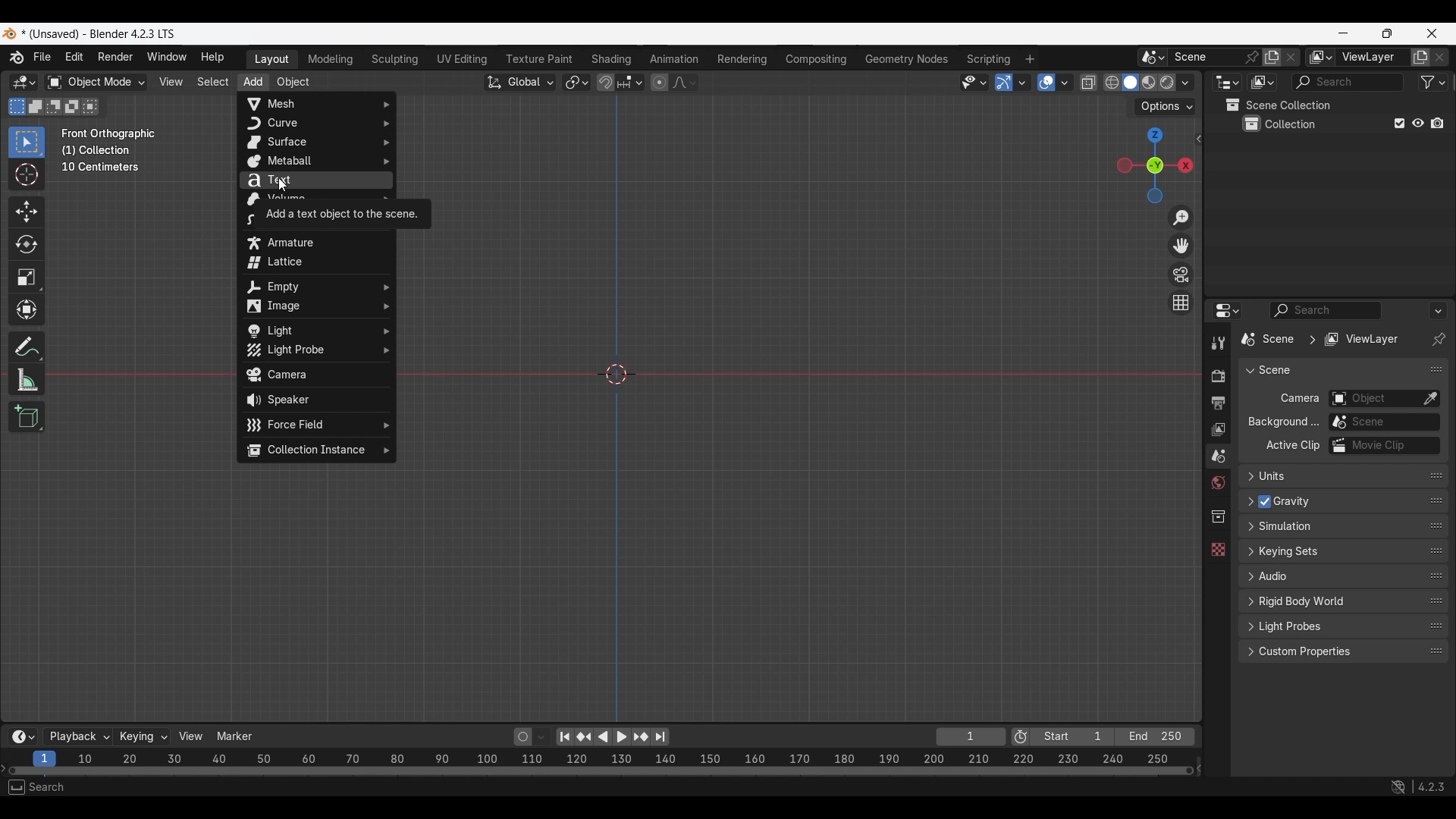 Image resolution: width=1456 pixels, height=819 pixels. What do you see at coordinates (316, 143) in the screenshot?
I see `Surface options` at bounding box center [316, 143].